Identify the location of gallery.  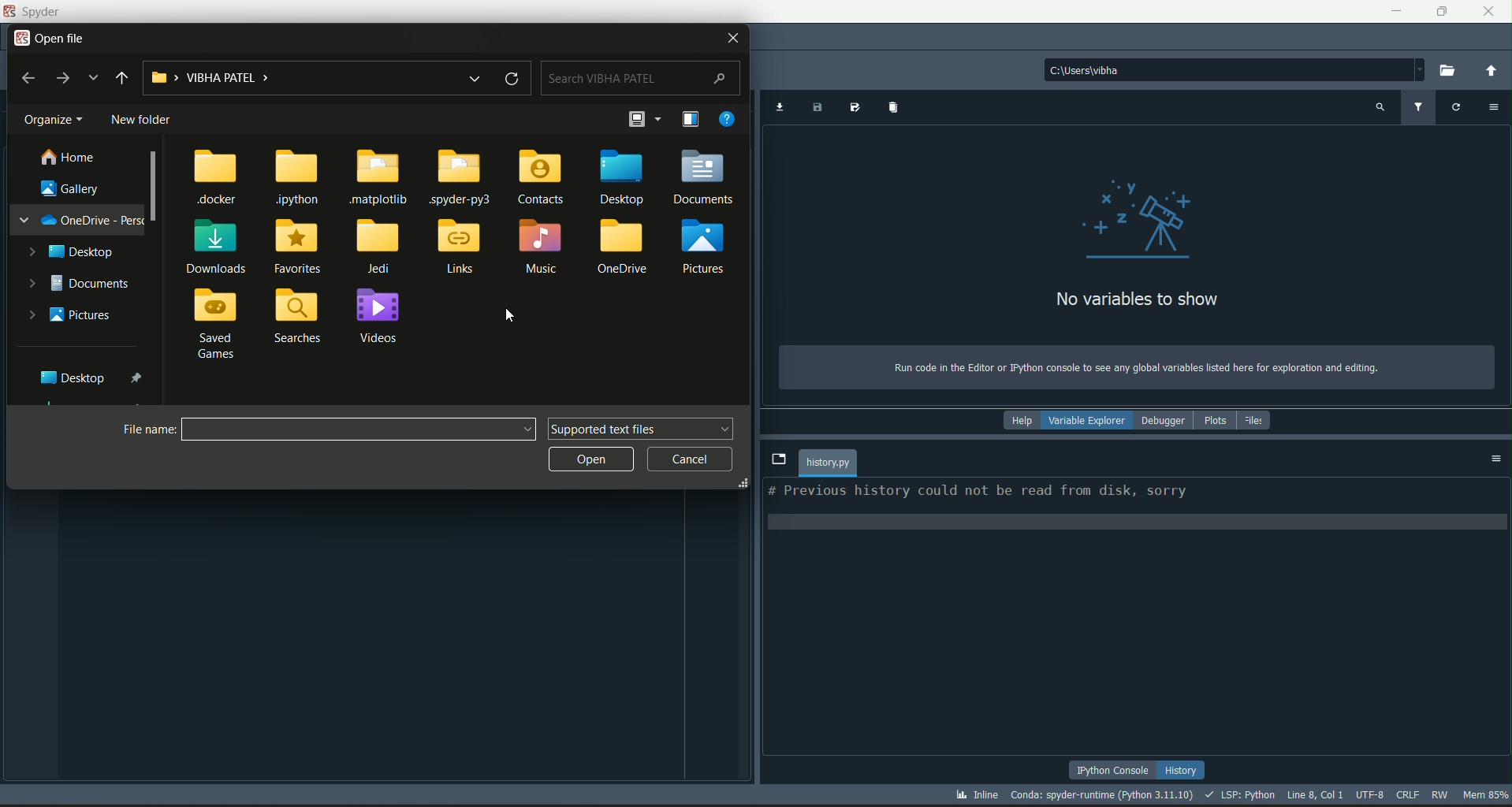
(73, 189).